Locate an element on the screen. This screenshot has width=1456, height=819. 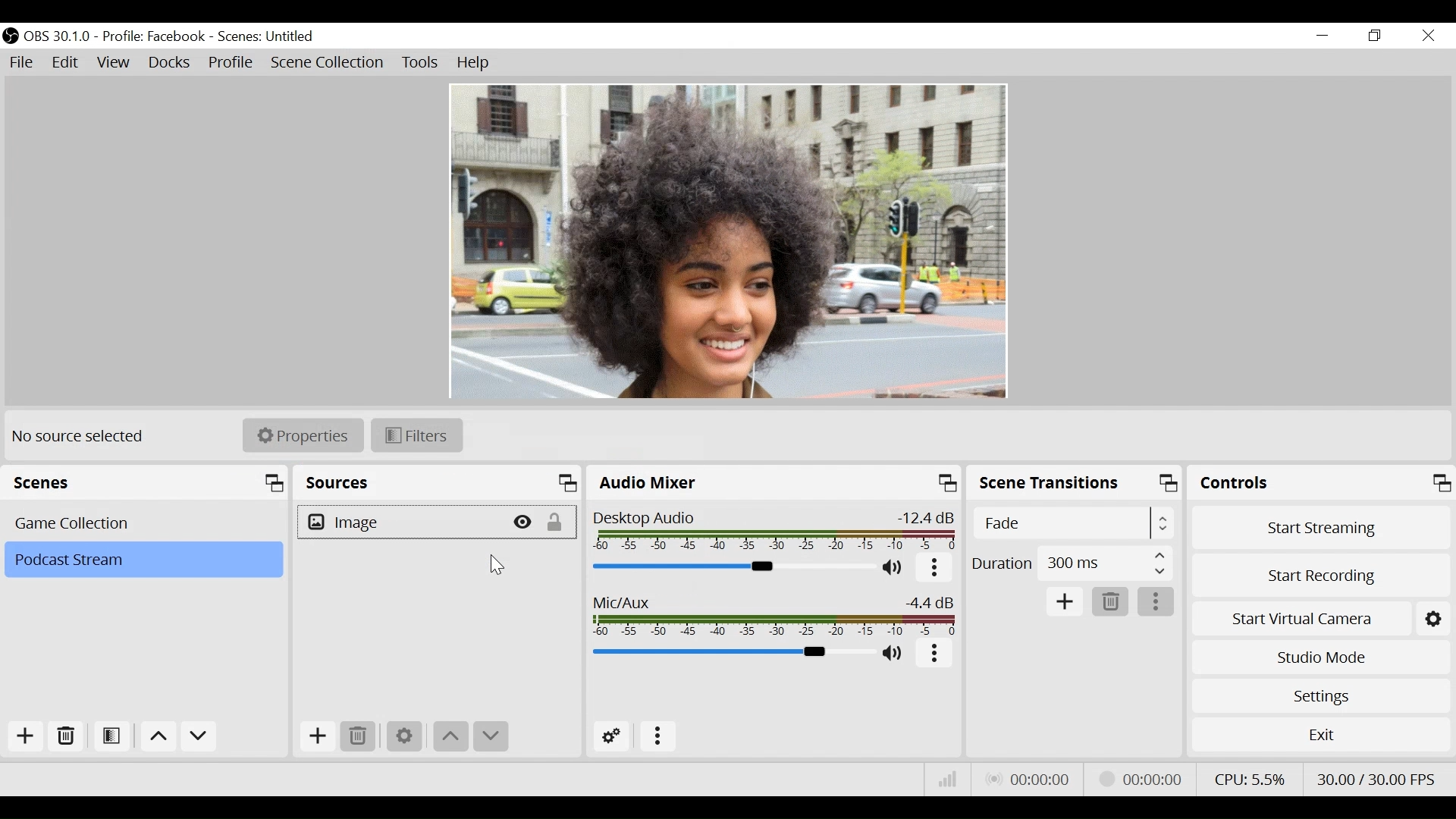
(Hide/Display) is located at coordinates (526, 522).